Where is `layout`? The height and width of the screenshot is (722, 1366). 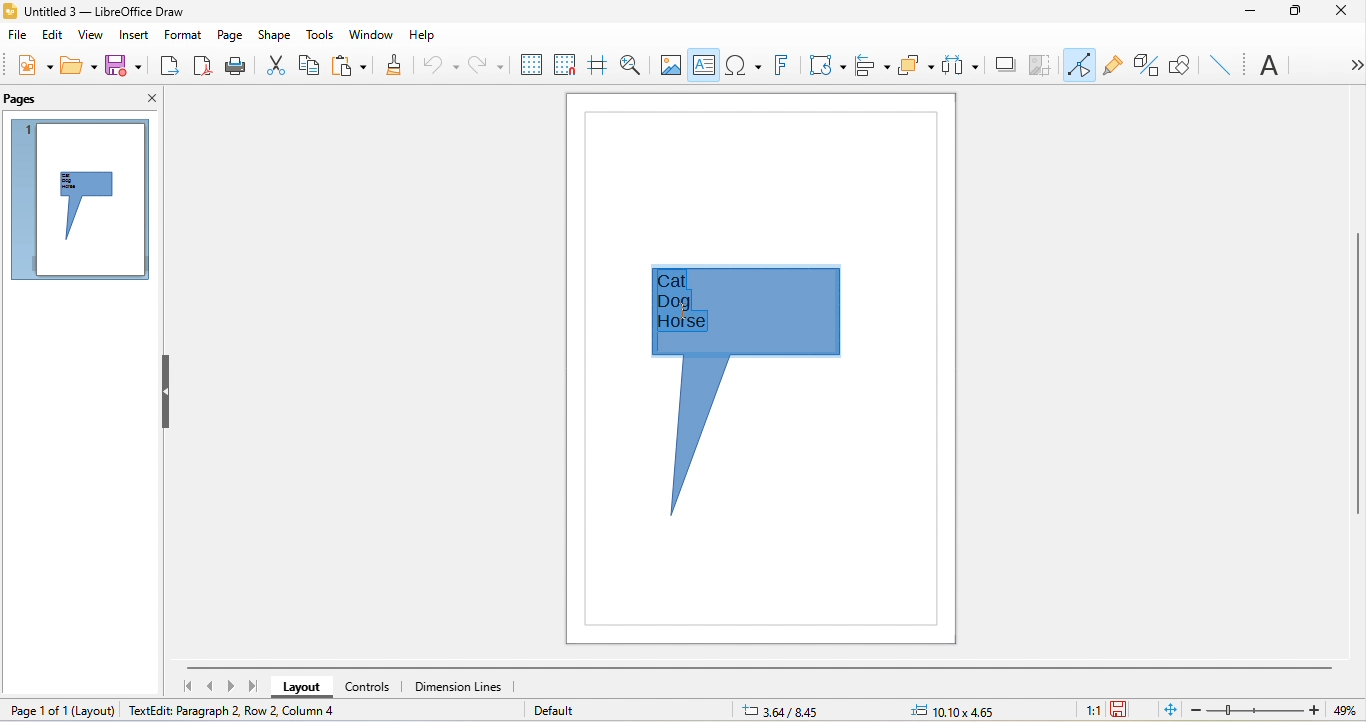
layout is located at coordinates (97, 708).